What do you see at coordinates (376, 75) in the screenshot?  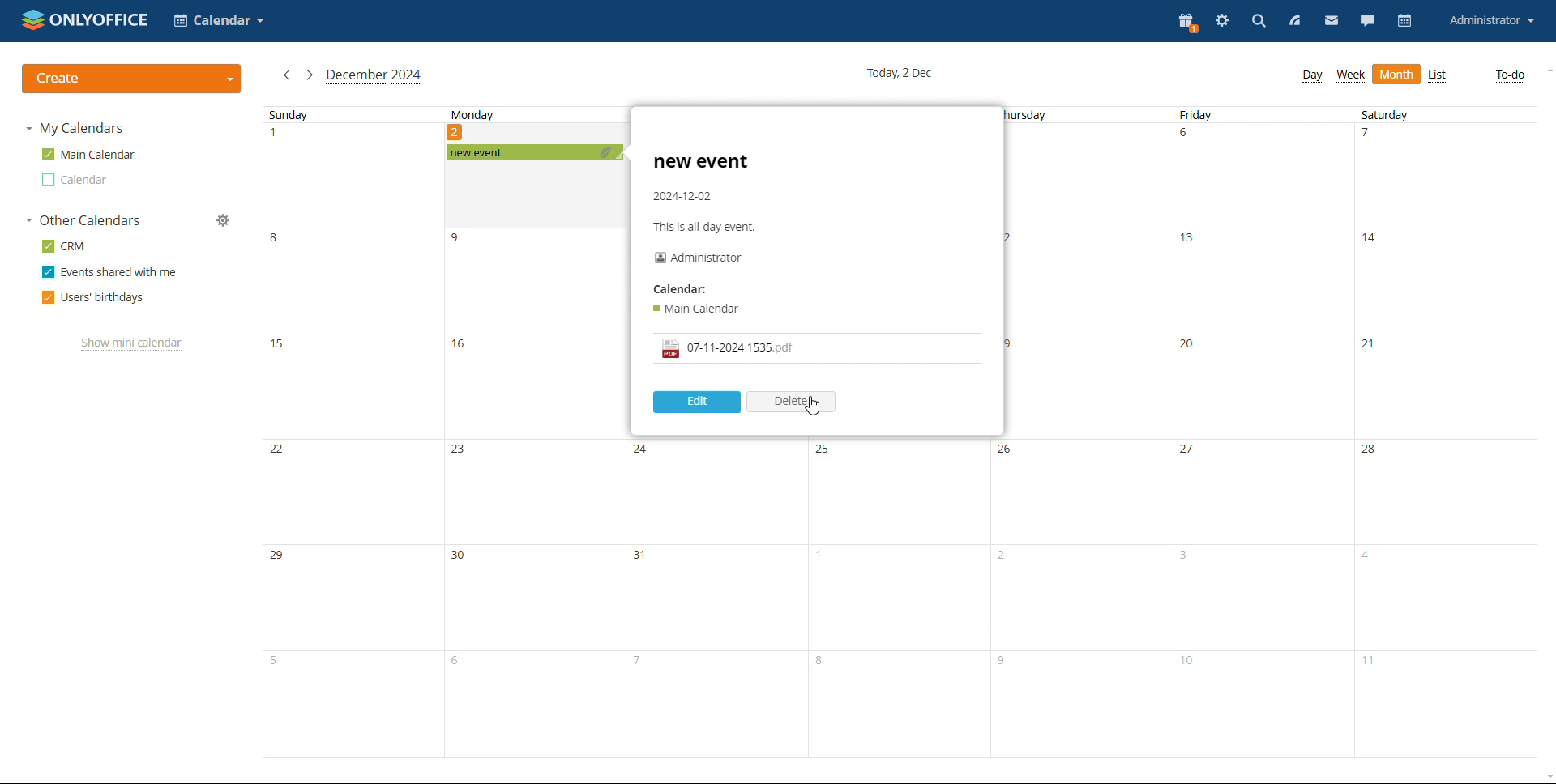 I see `December 2024` at bounding box center [376, 75].